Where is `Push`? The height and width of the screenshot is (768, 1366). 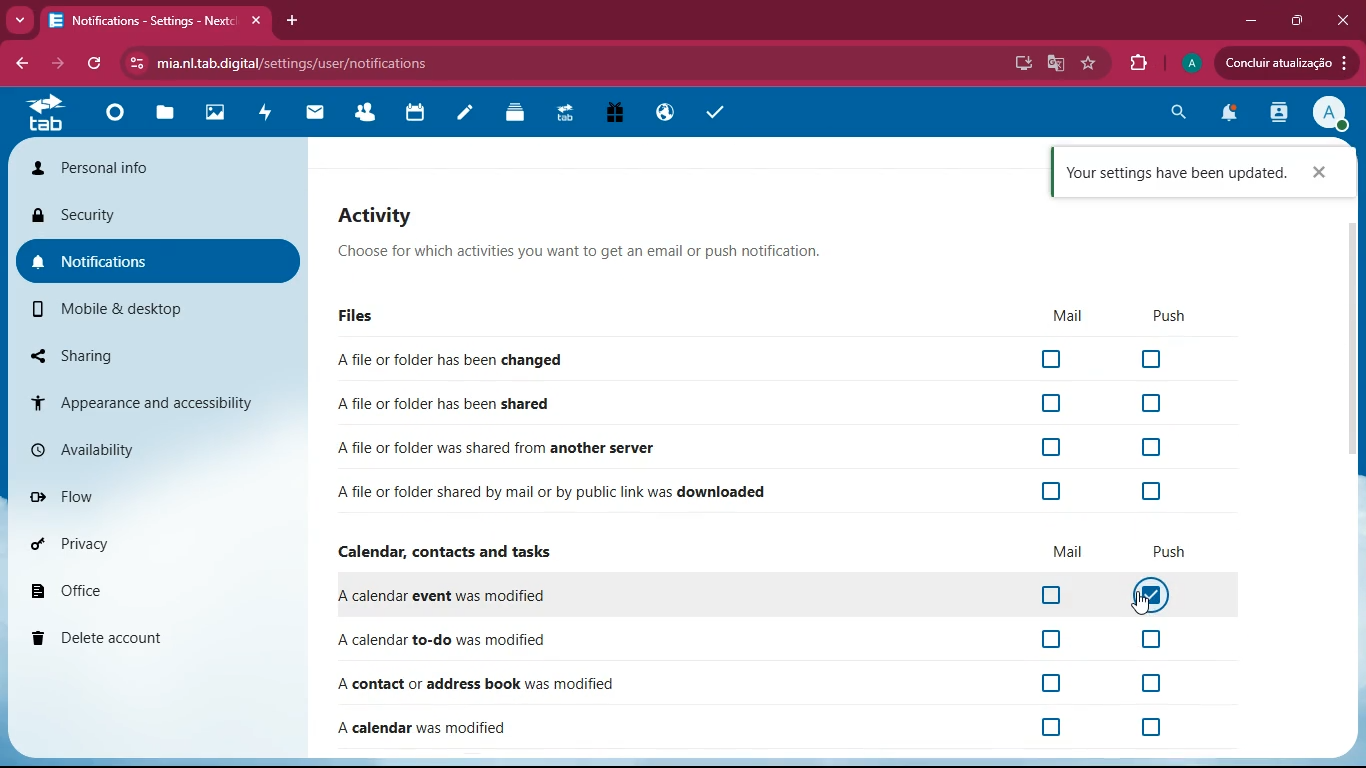 Push is located at coordinates (1163, 317).